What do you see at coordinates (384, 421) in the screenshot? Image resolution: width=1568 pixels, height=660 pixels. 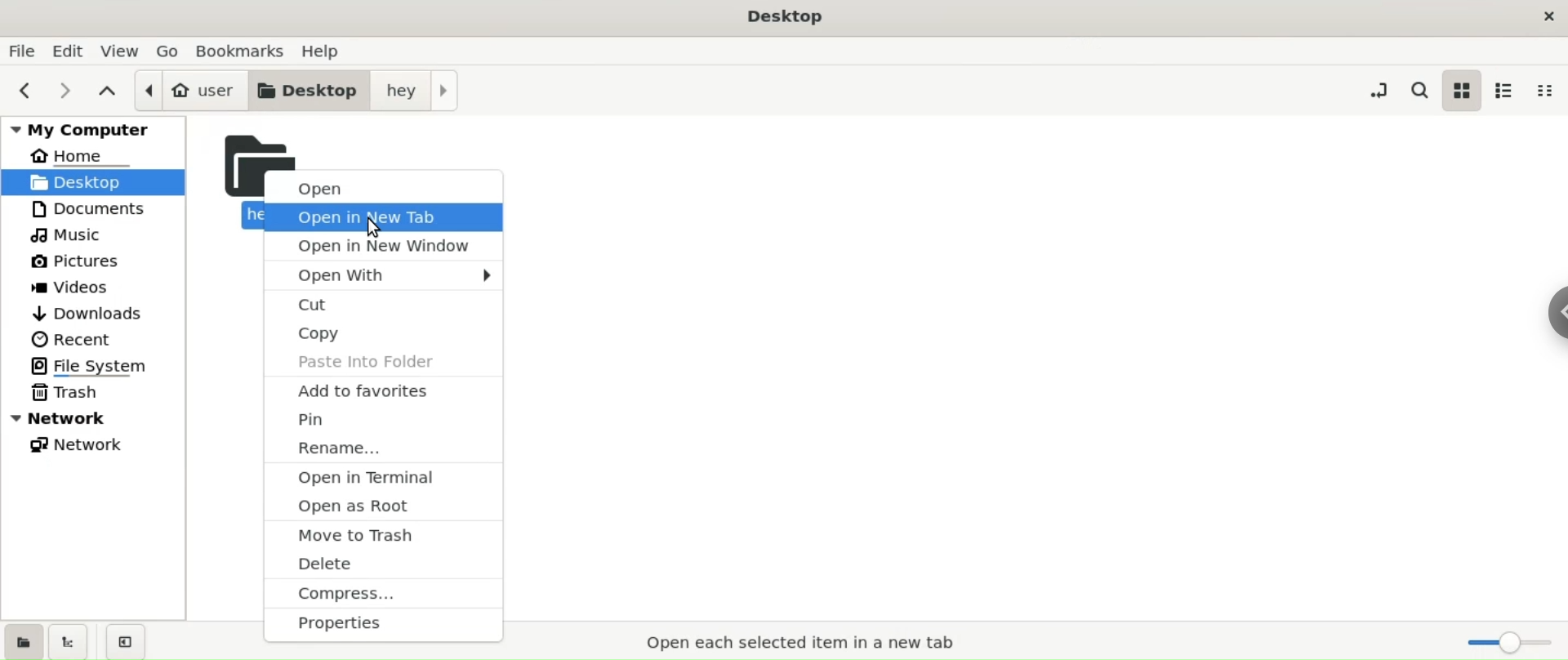 I see `pin` at bounding box center [384, 421].